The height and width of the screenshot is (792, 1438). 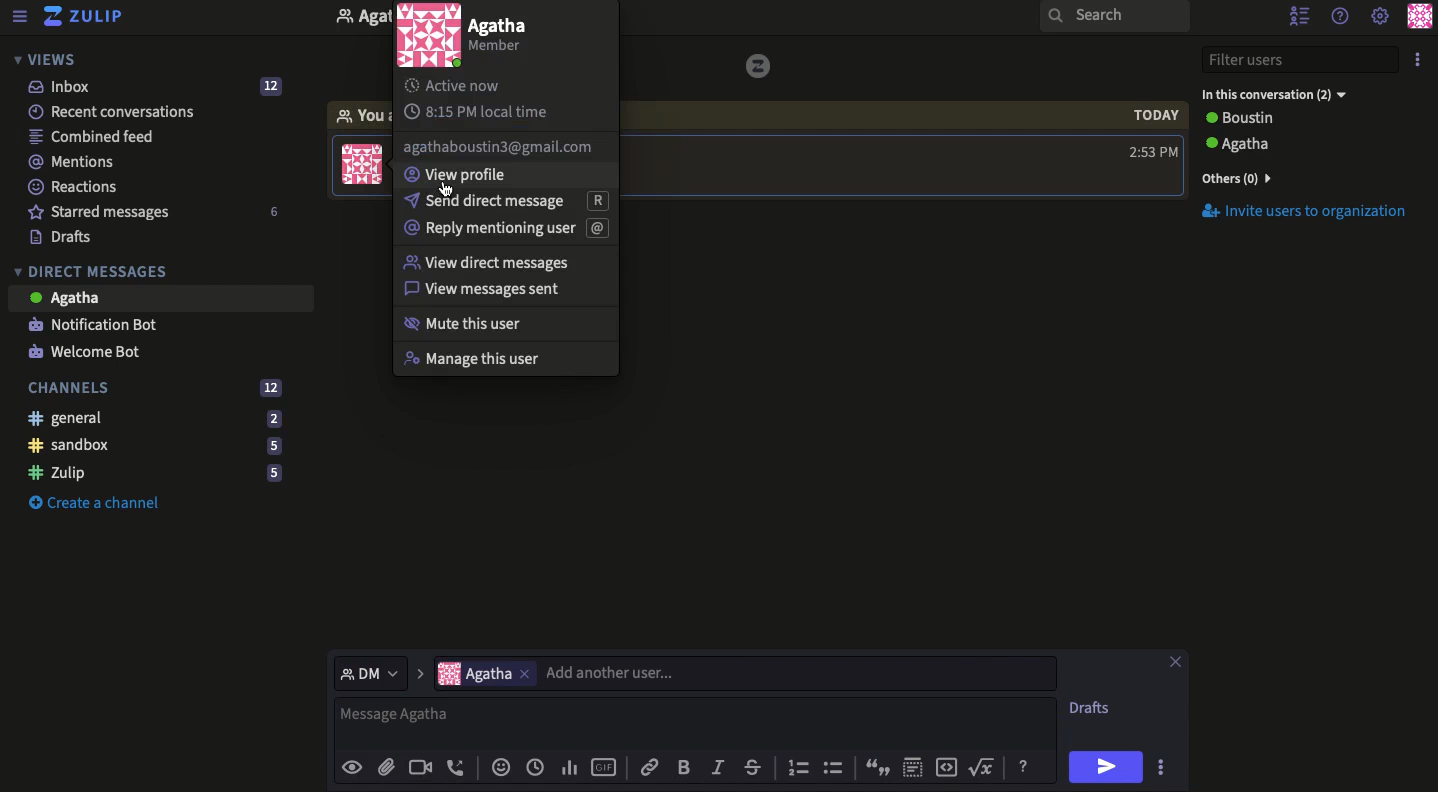 I want to click on Zulip, so click(x=155, y=474).